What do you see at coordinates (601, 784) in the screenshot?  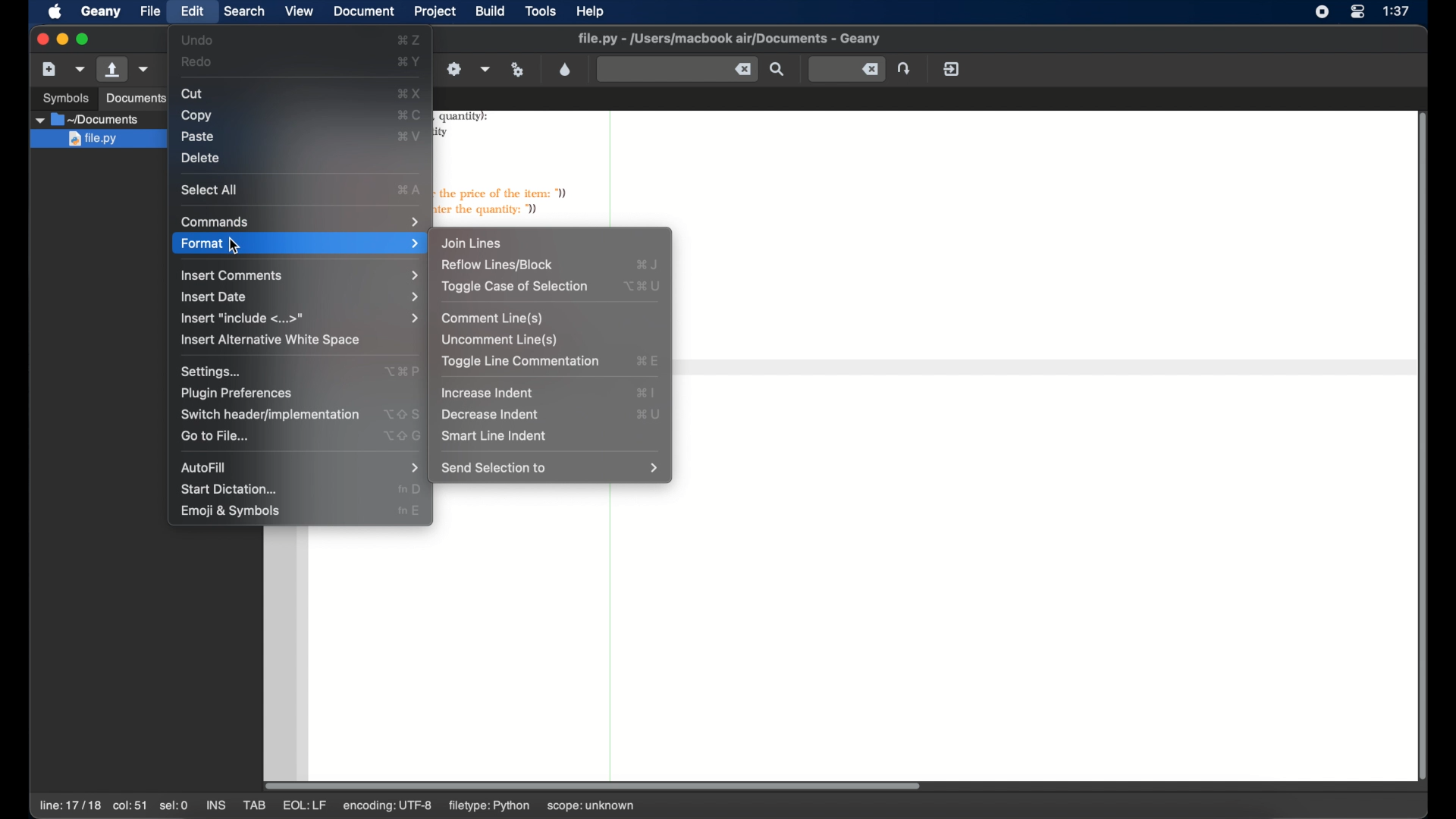 I see `scroll bar` at bounding box center [601, 784].